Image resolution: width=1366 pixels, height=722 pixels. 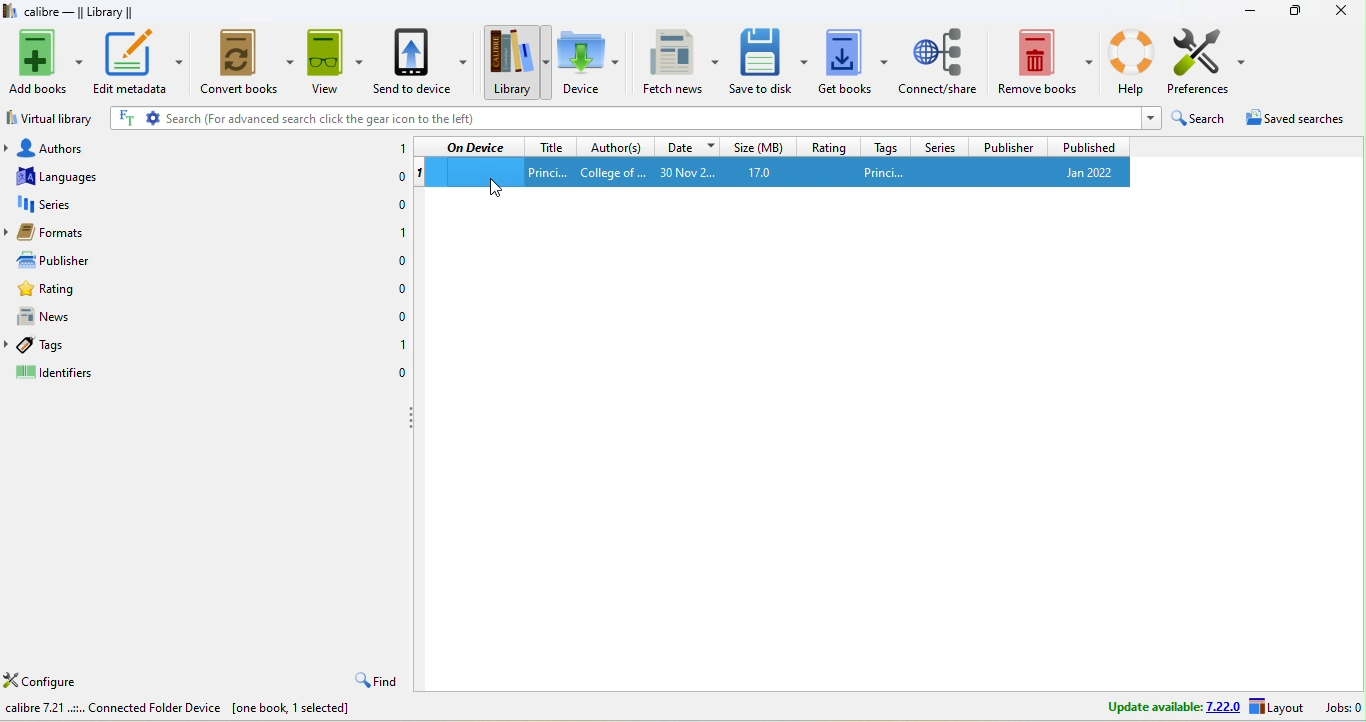 What do you see at coordinates (1250, 10) in the screenshot?
I see `minimize` at bounding box center [1250, 10].